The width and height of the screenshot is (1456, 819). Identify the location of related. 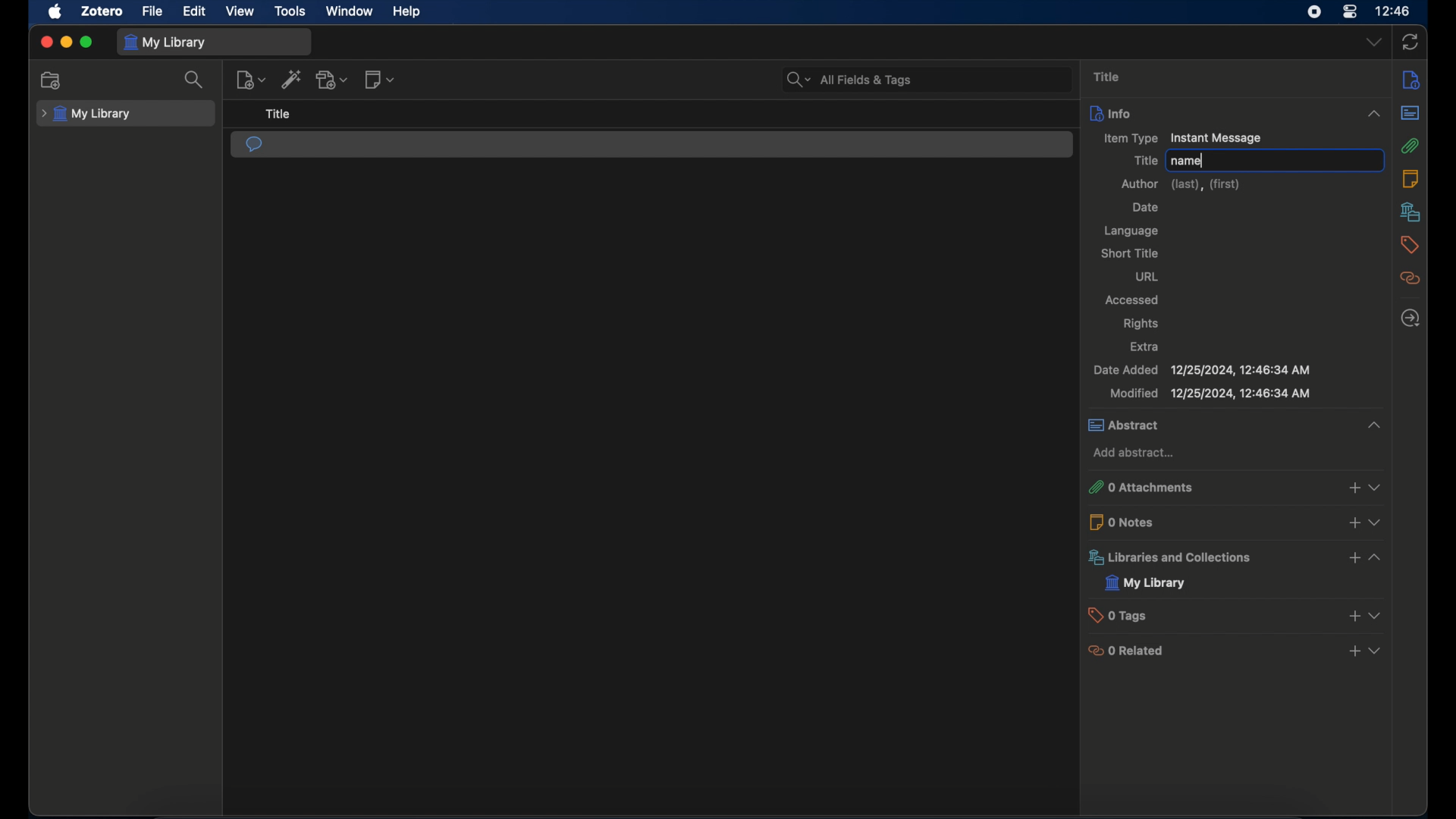
(1411, 278).